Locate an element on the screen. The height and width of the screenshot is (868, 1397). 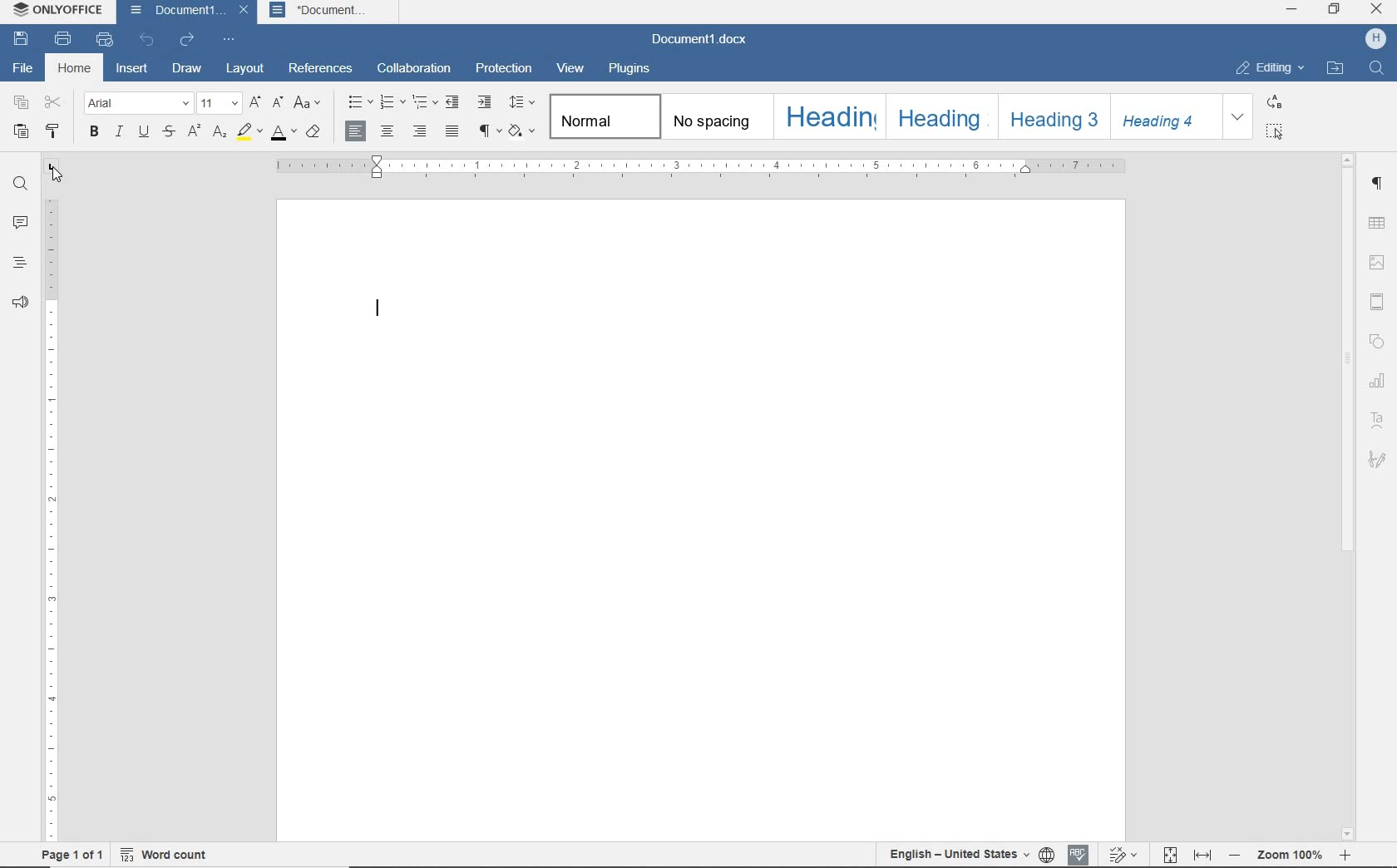
UNDO is located at coordinates (147, 41).